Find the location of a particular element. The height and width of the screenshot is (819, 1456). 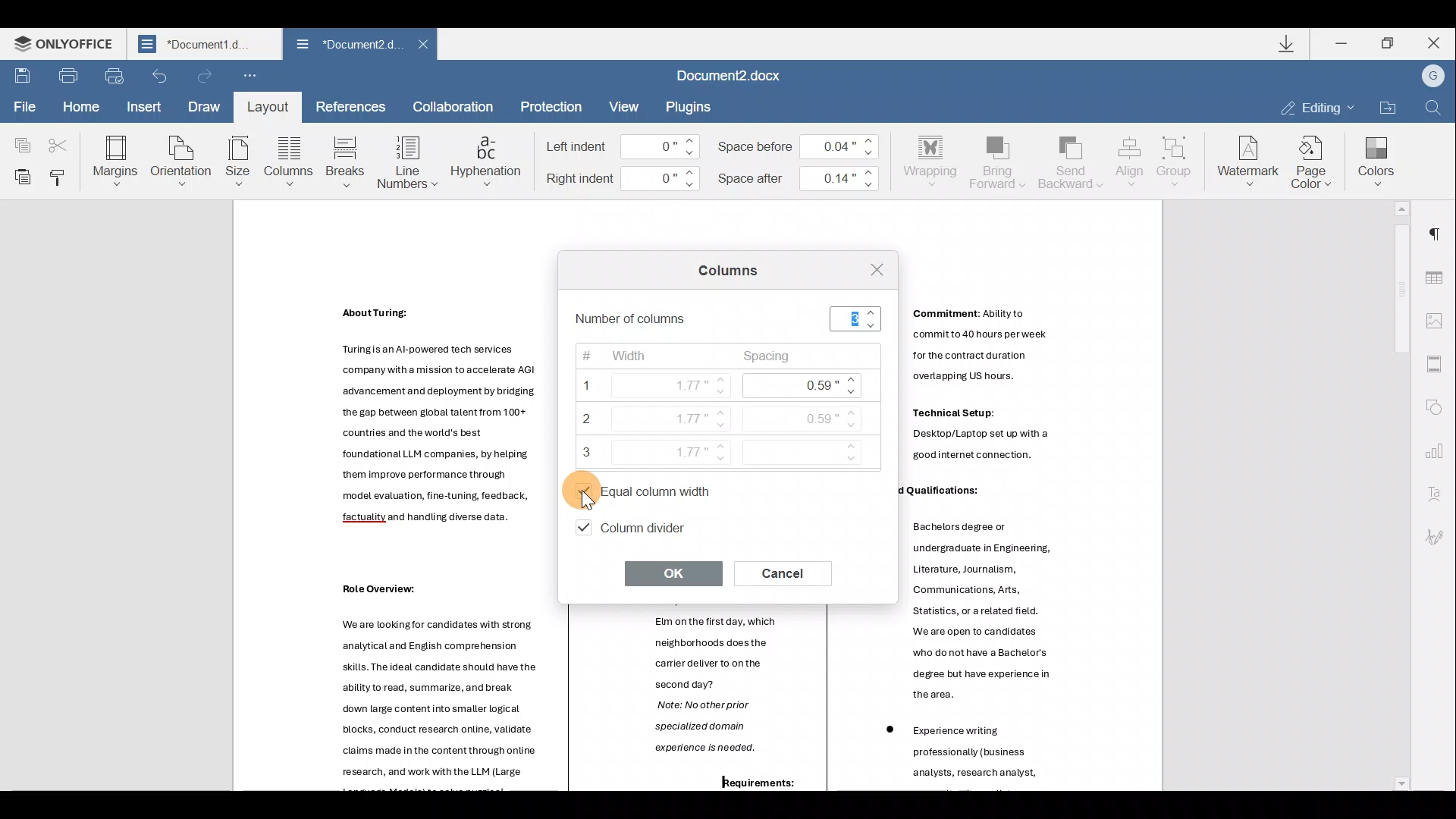

Open file location is located at coordinates (1387, 106).